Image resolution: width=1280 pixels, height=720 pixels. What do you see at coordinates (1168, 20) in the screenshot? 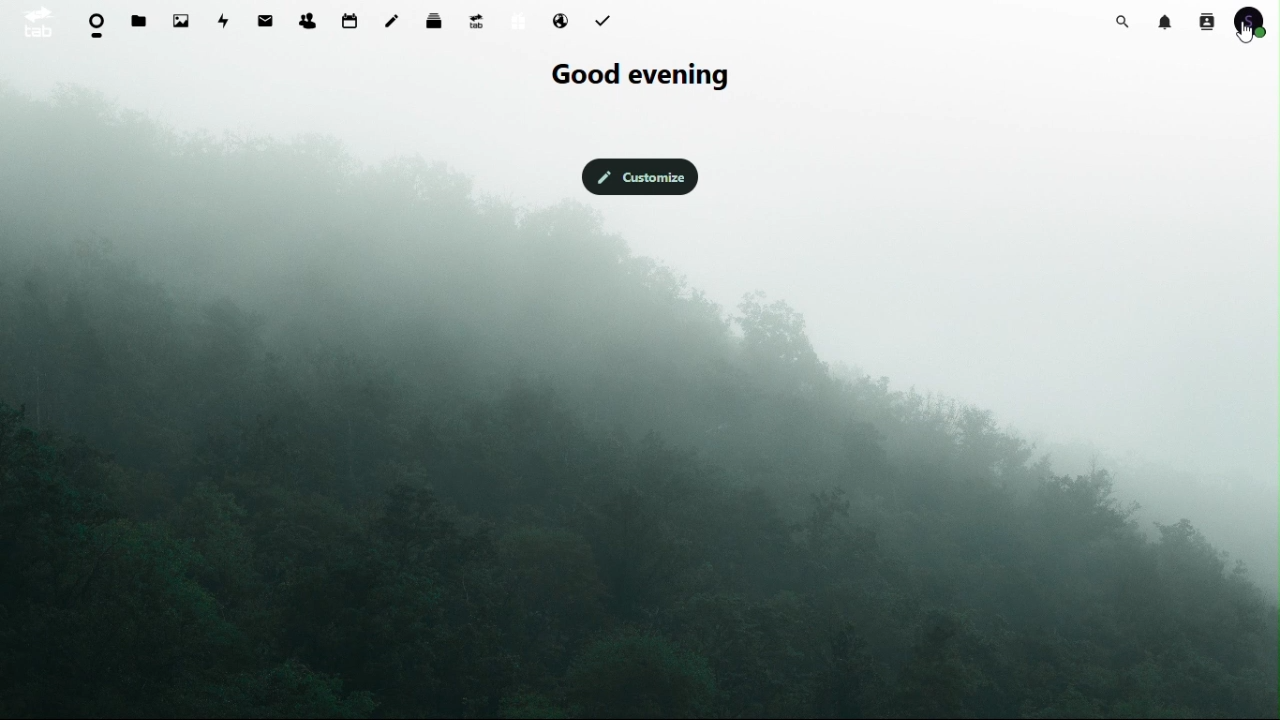
I see `Notifications` at bounding box center [1168, 20].